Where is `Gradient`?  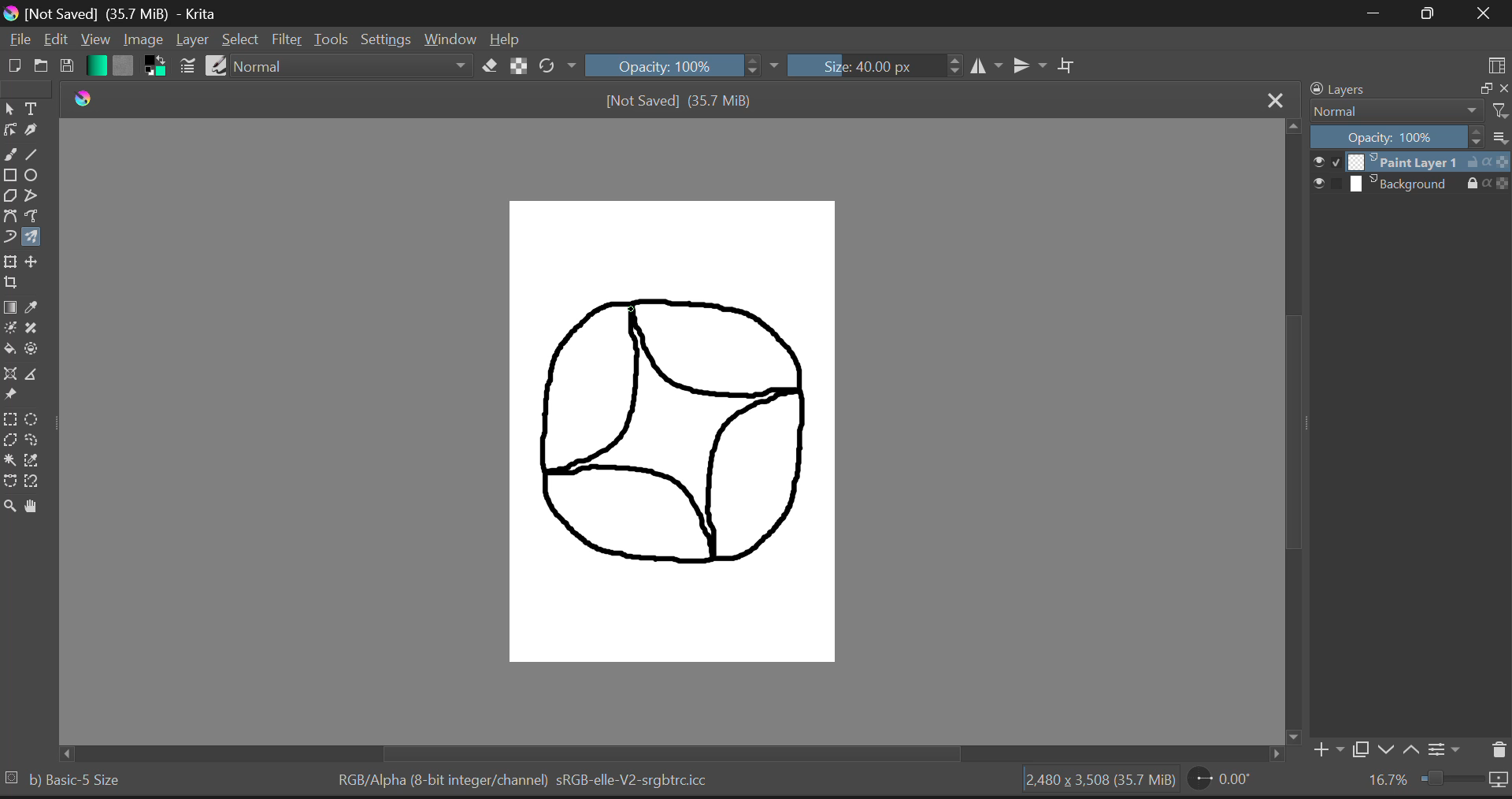
Gradient is located at coordinates (96, 65).